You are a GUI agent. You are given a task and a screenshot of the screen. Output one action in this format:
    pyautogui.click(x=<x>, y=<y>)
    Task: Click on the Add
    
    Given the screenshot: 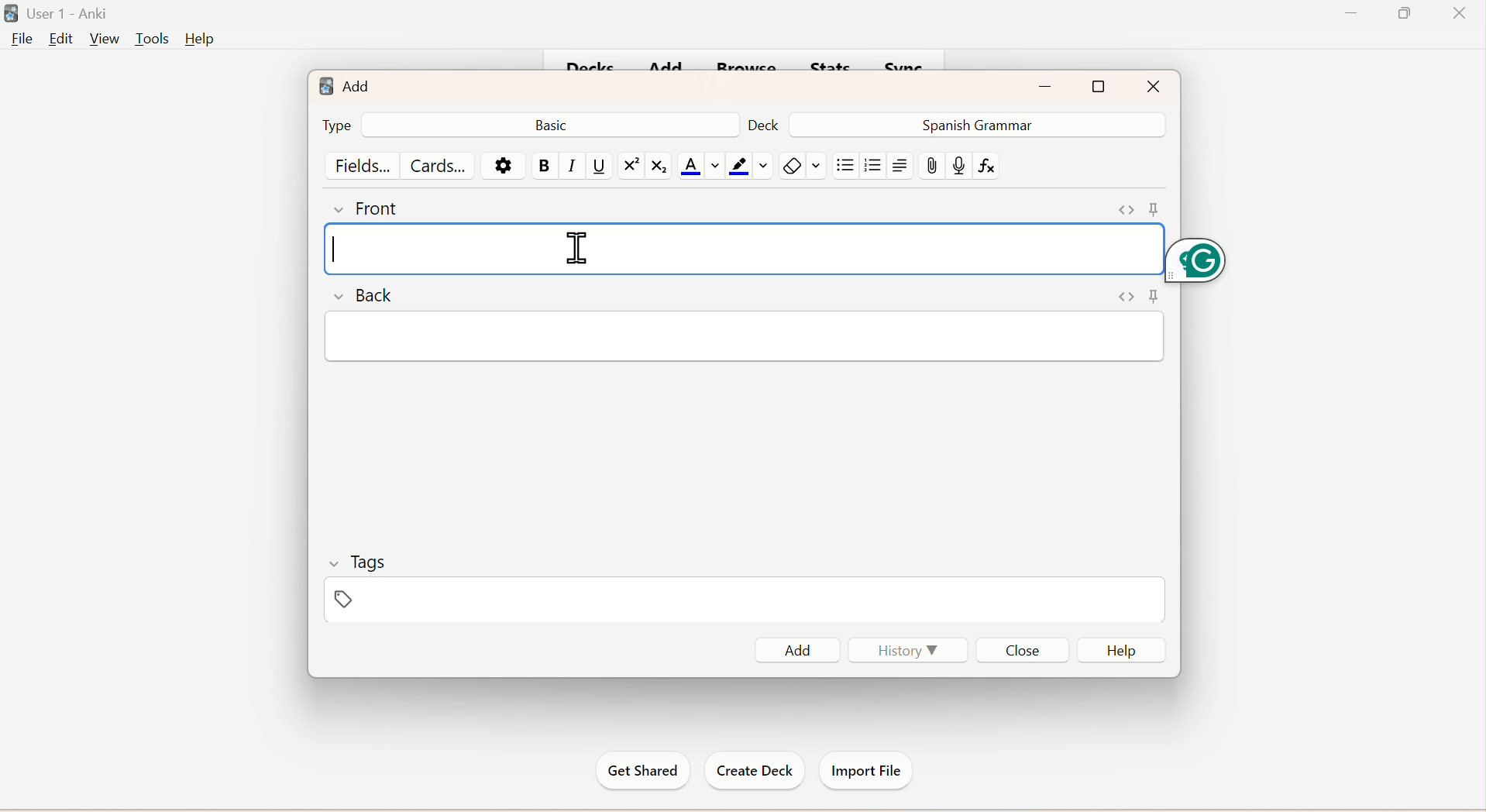 What is the action you would take?
    pyautogui.click(x=802, y=648)
    